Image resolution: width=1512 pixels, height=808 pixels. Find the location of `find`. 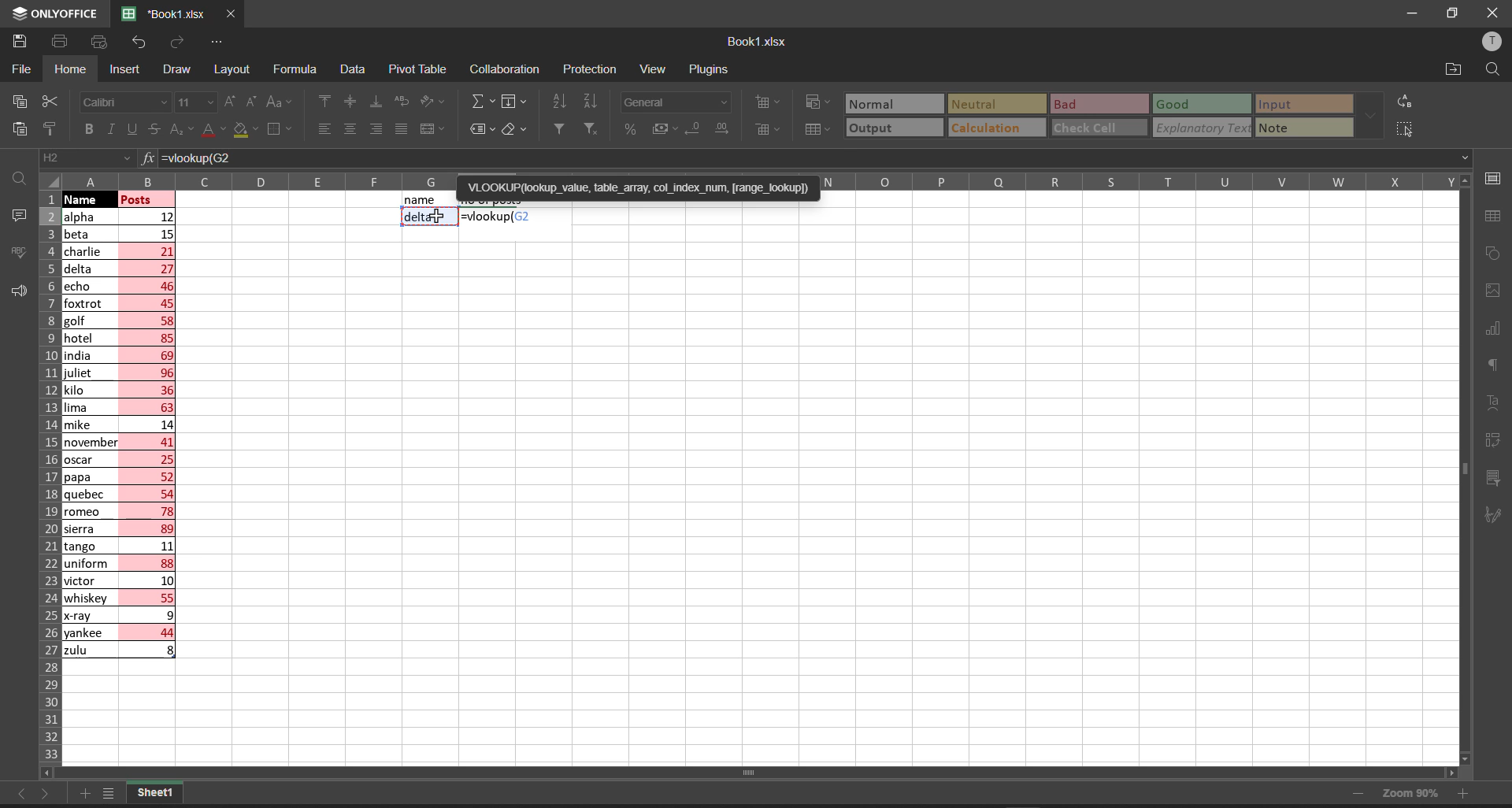

find is located at coordinates (17, 176).